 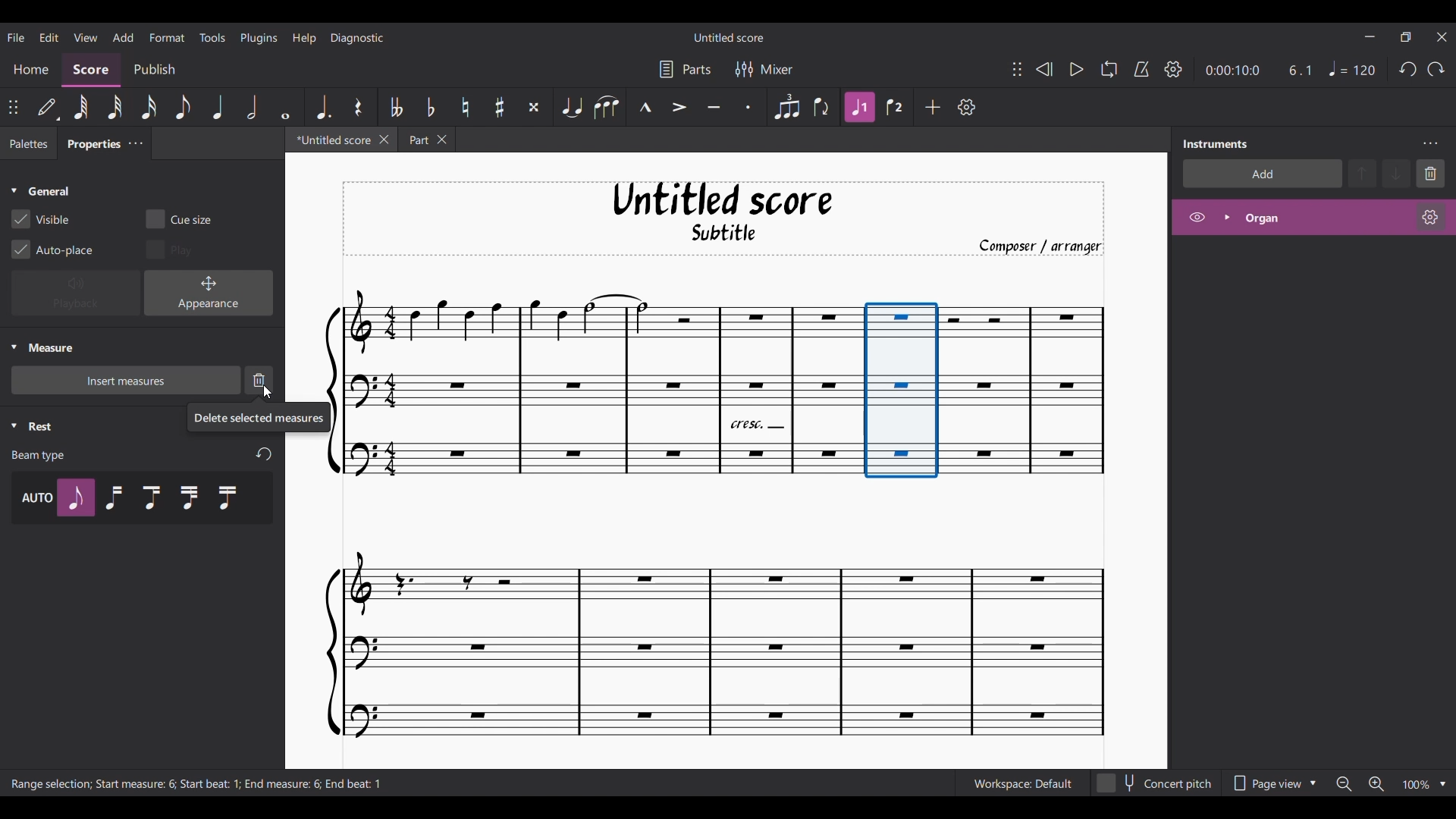 I want to click on Instruments panel settings, so click(x=1430, y=143).